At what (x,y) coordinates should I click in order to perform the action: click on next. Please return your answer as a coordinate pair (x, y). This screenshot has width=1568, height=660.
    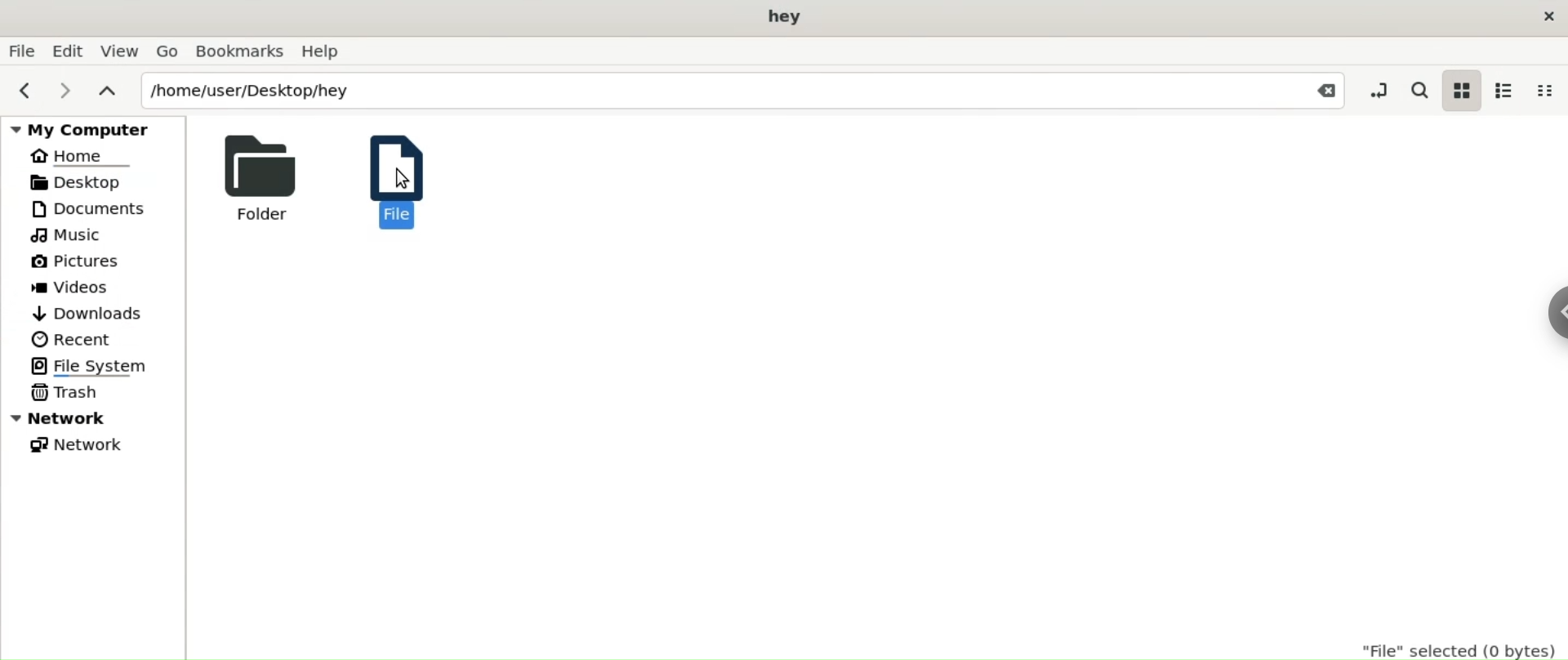
    Looking at the image, I should click on (64, 94).